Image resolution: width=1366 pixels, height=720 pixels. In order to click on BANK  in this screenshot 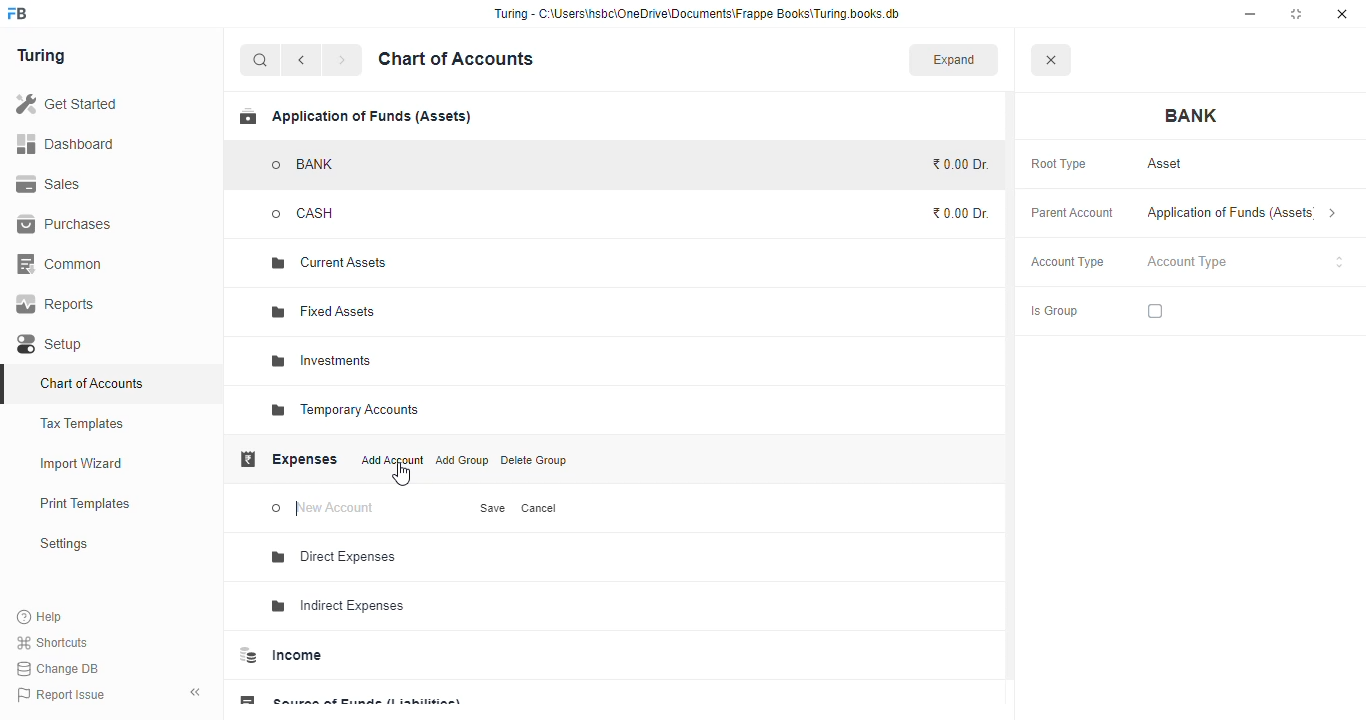, I will do `click(304, 165)`.